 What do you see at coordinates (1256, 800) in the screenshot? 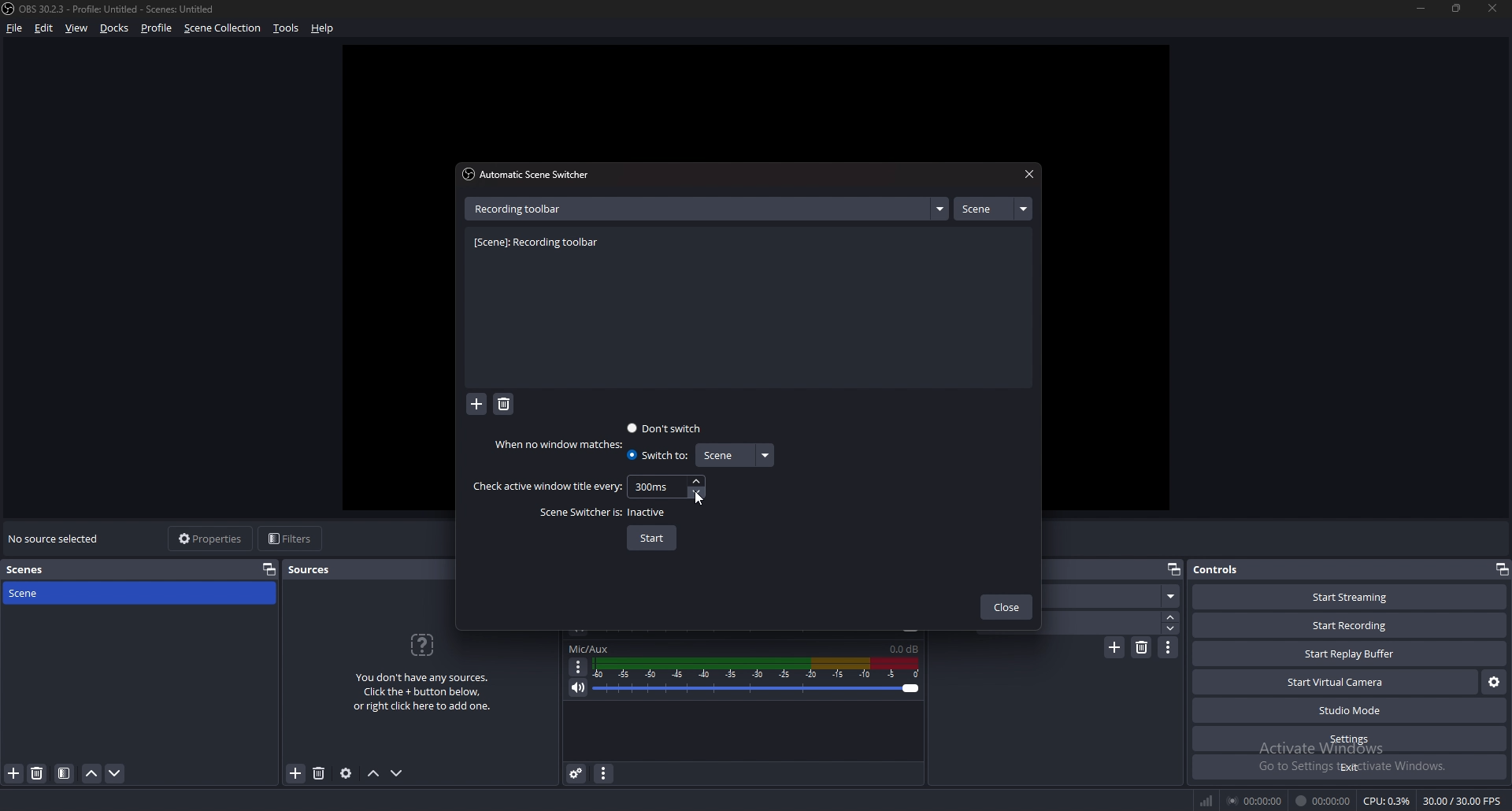
I see `stream duration` at bounding box center [1256, 800].